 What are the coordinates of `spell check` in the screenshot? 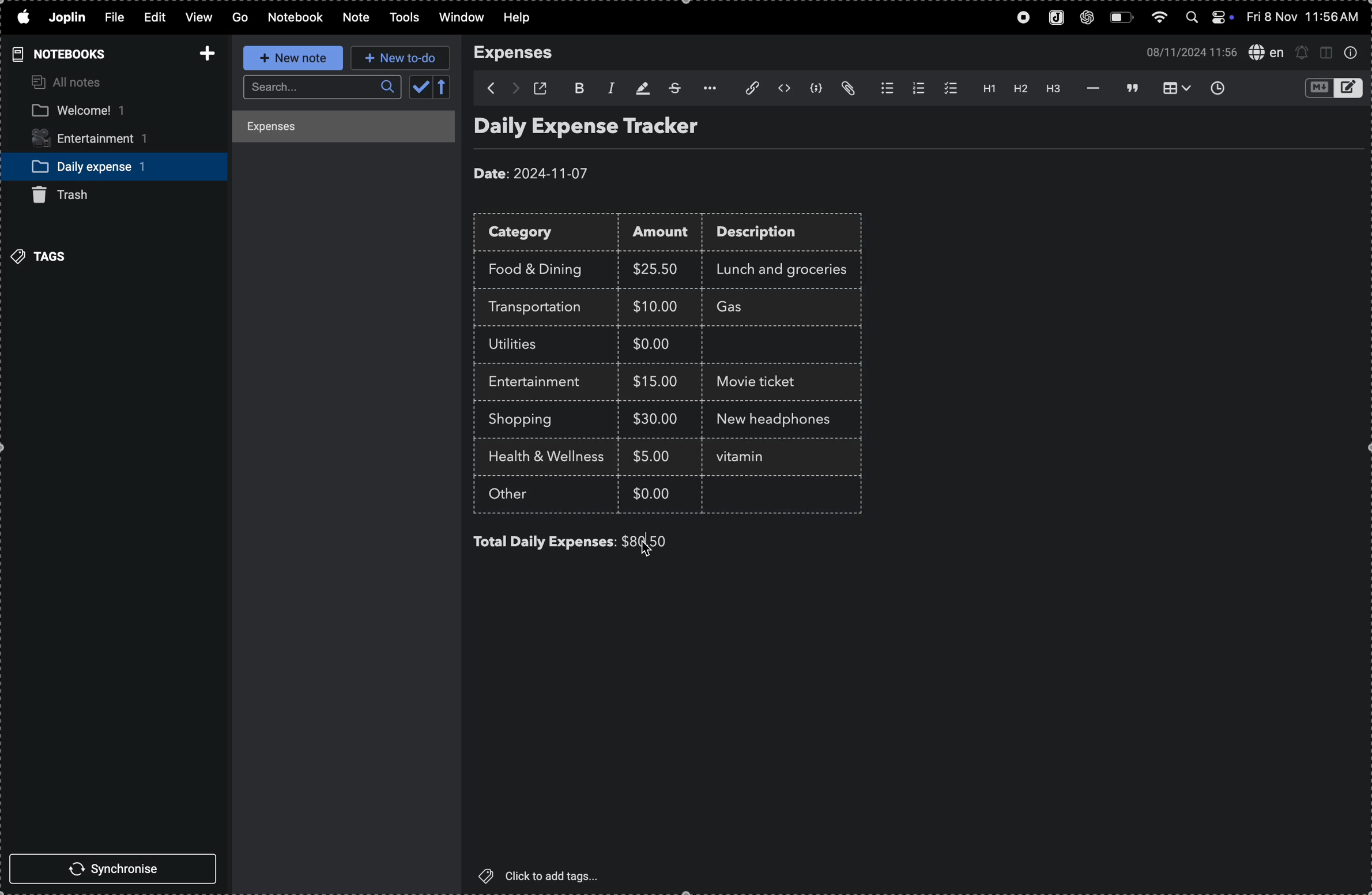 It's located at (1265, 51).